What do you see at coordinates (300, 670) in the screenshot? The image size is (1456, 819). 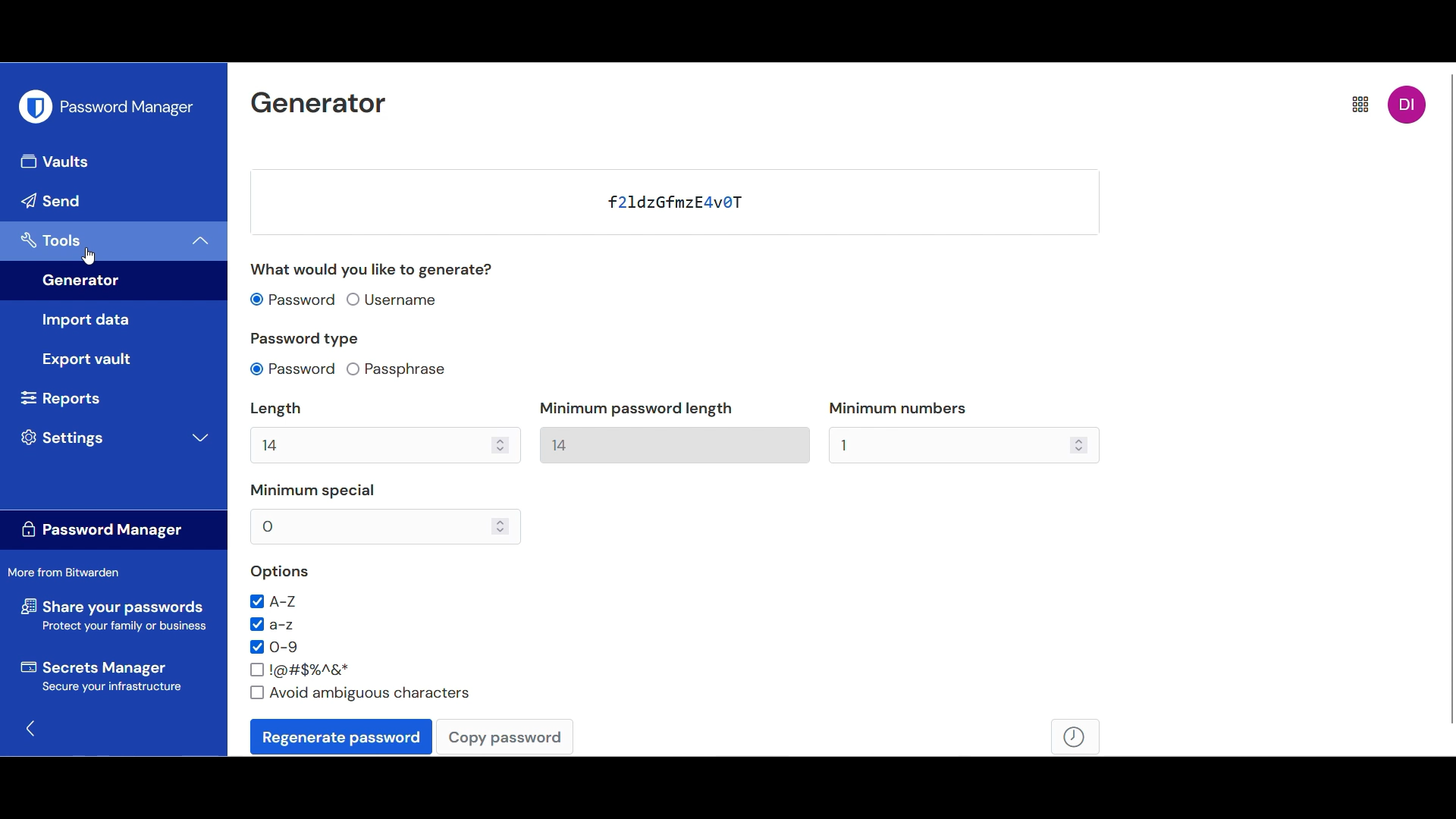 I see `!@#$%^&*` at bounding box center [300, 670].